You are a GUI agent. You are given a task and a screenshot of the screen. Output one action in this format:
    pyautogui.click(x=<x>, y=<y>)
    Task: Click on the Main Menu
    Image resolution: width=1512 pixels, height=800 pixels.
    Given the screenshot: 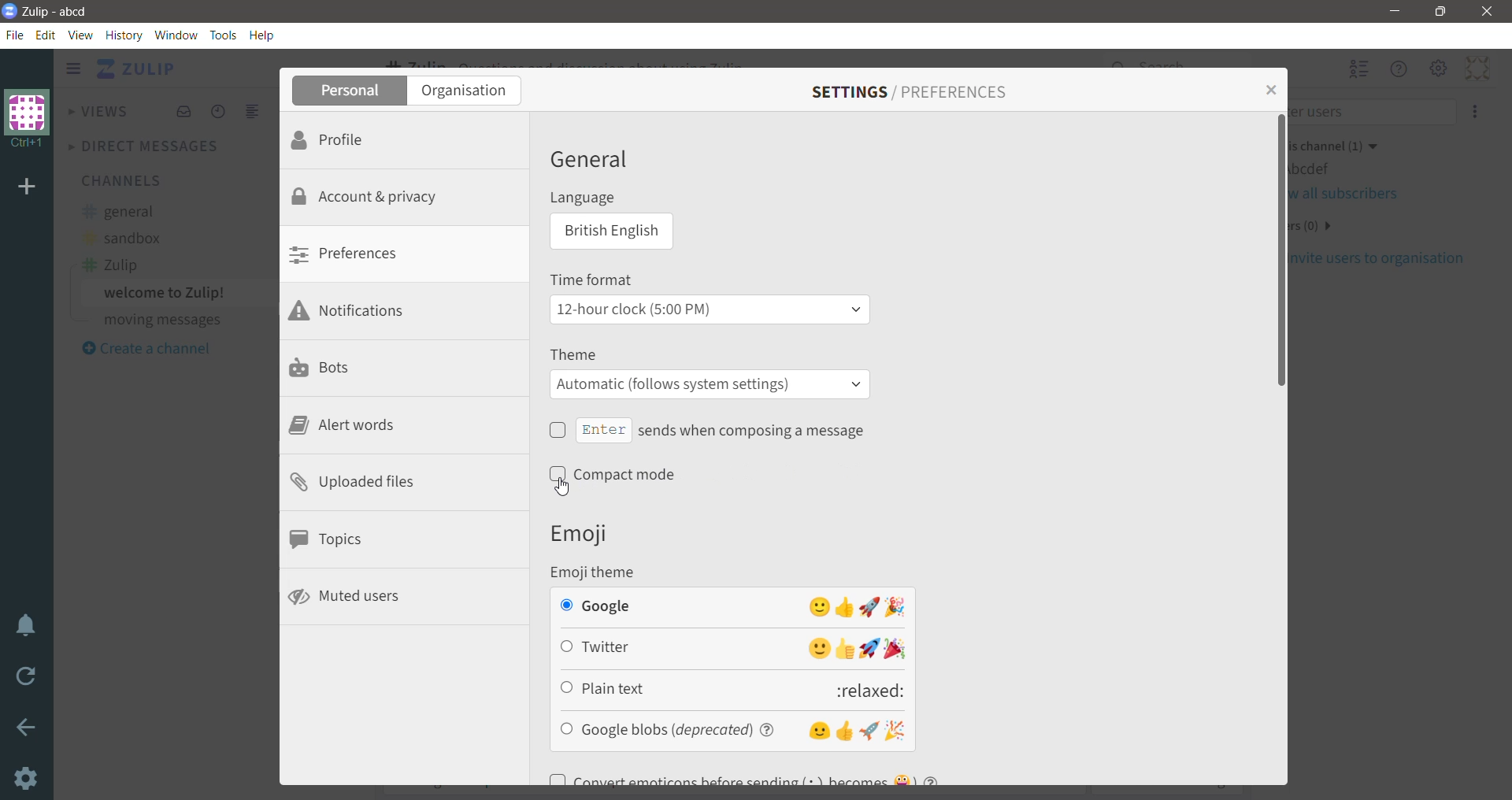 What is the action you would take?
    pyautogui.click(x=1439, y=68)
    